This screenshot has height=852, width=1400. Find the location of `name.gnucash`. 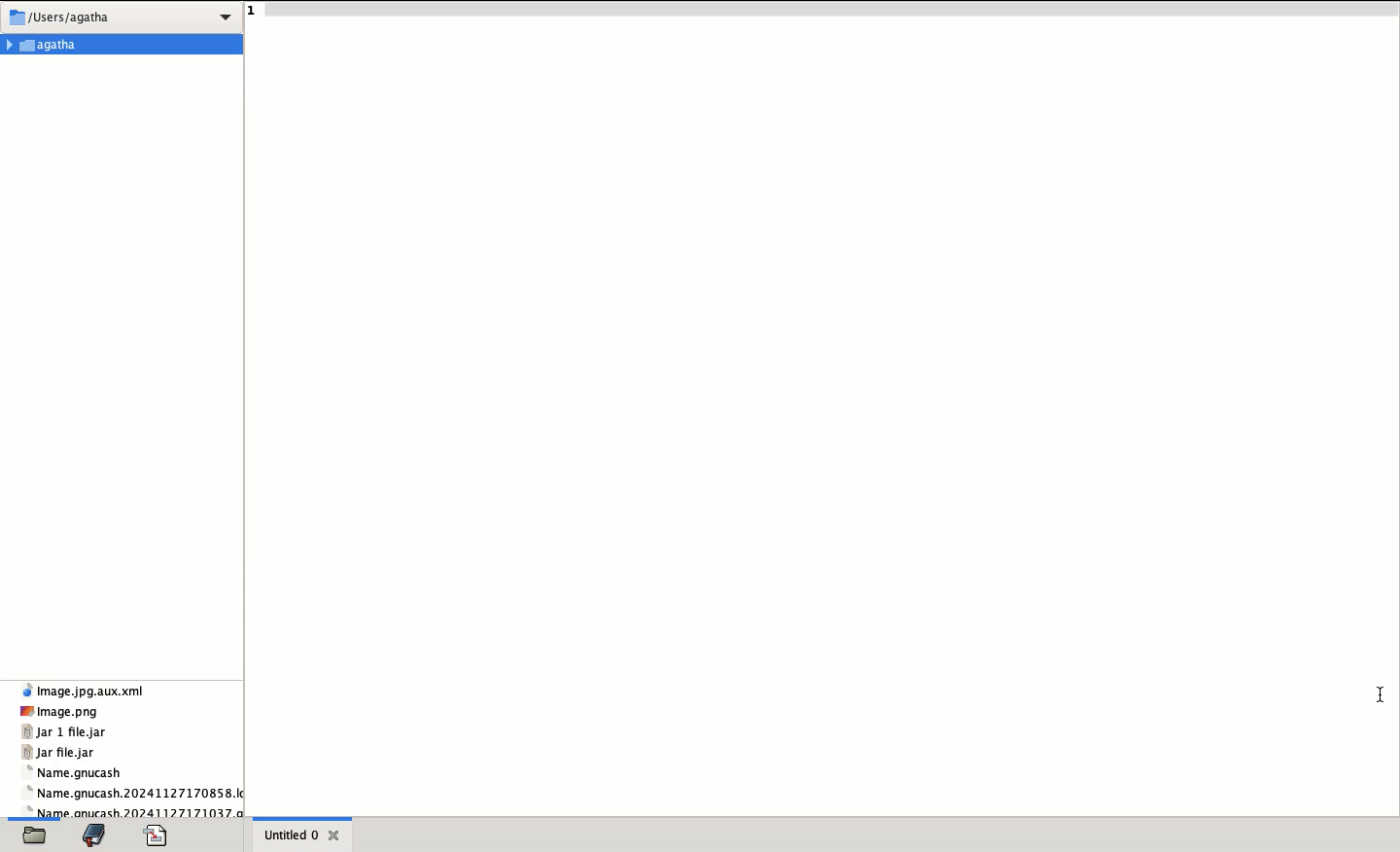

name.gnucash is located at coordinates (71, 774).